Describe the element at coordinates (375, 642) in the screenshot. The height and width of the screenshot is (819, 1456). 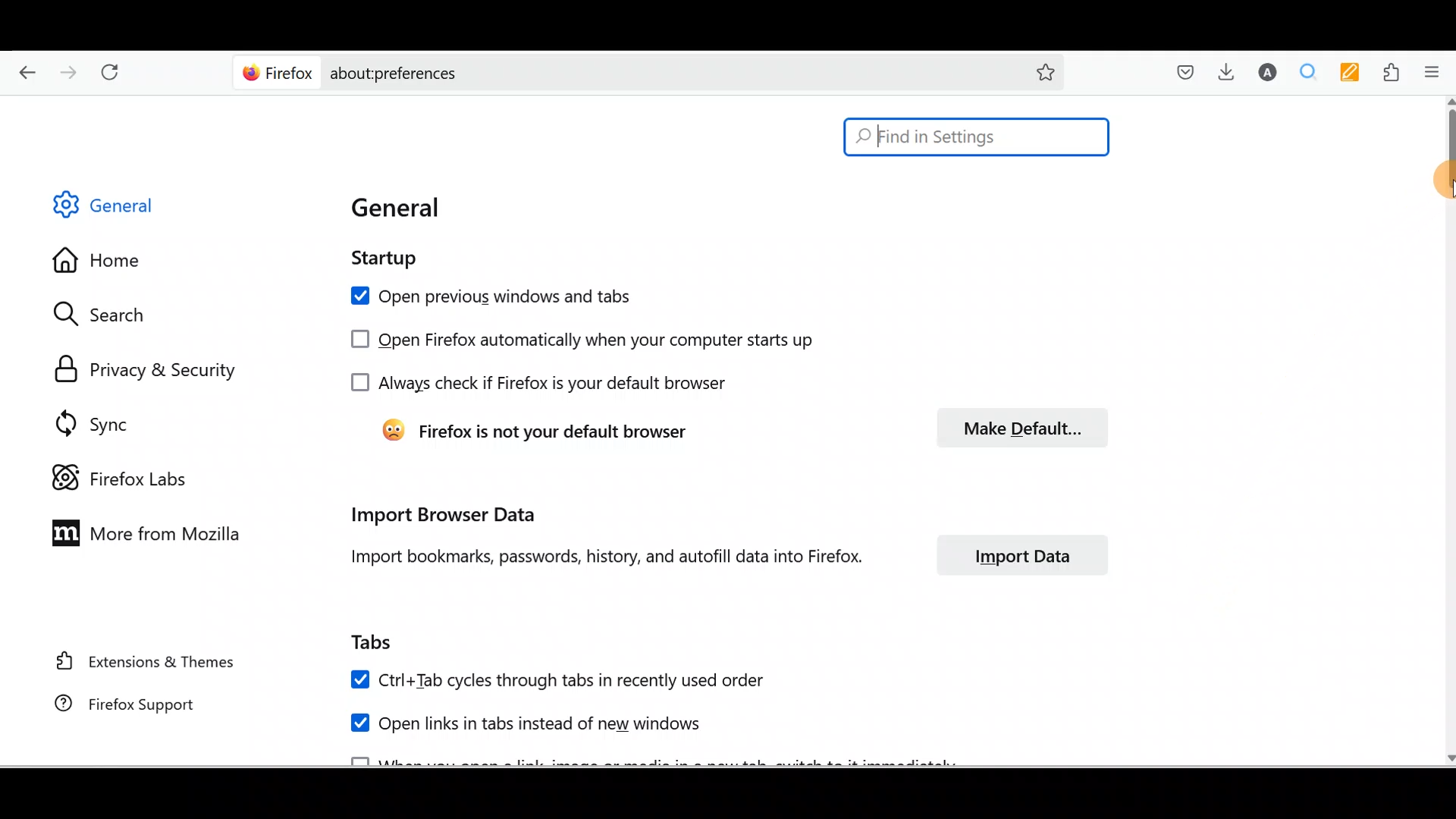
I see `Tabs` at that location.